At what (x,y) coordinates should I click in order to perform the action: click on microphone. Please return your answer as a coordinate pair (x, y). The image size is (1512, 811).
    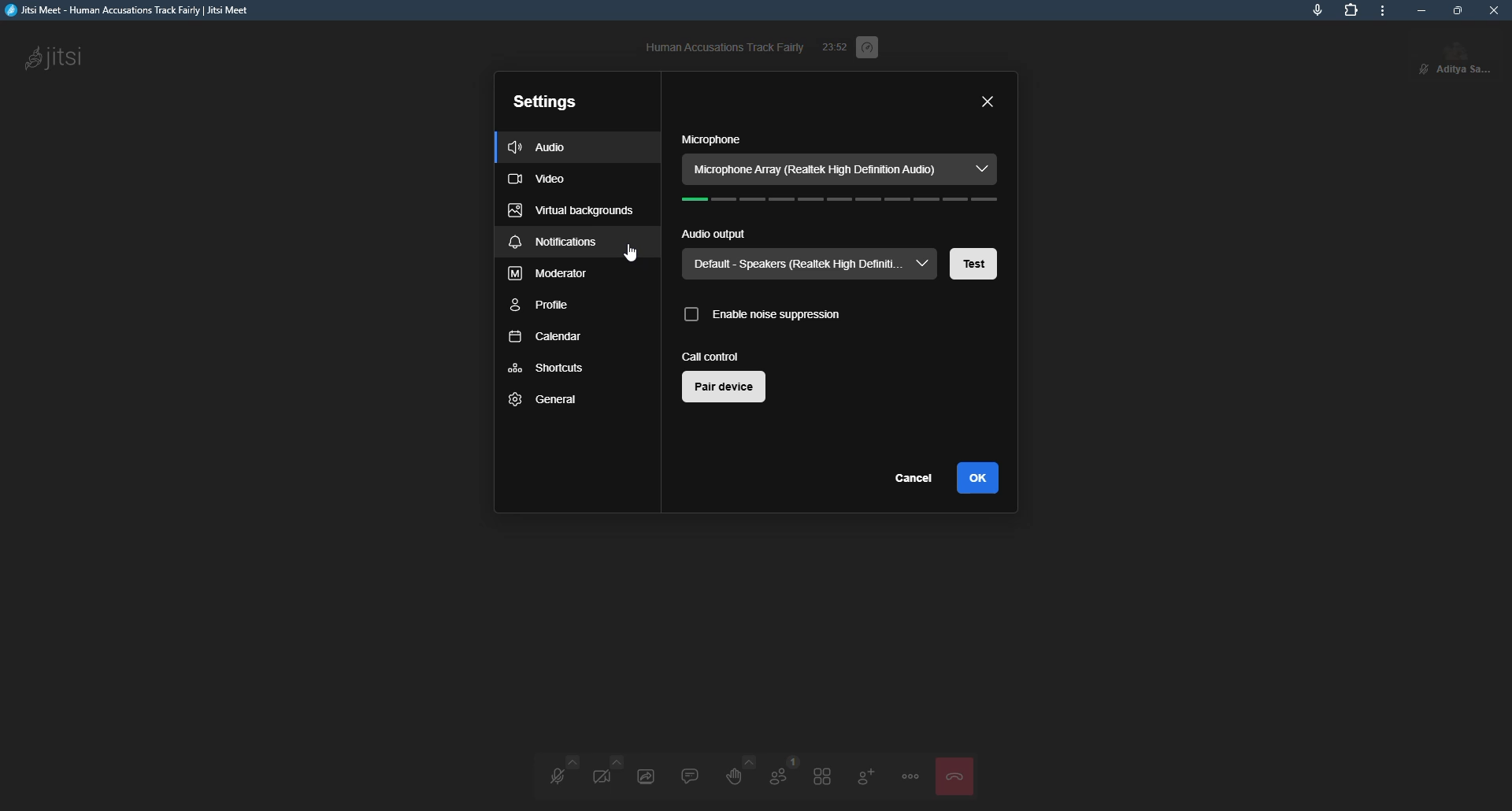
    Looking at the image, I should click on (711, 139).